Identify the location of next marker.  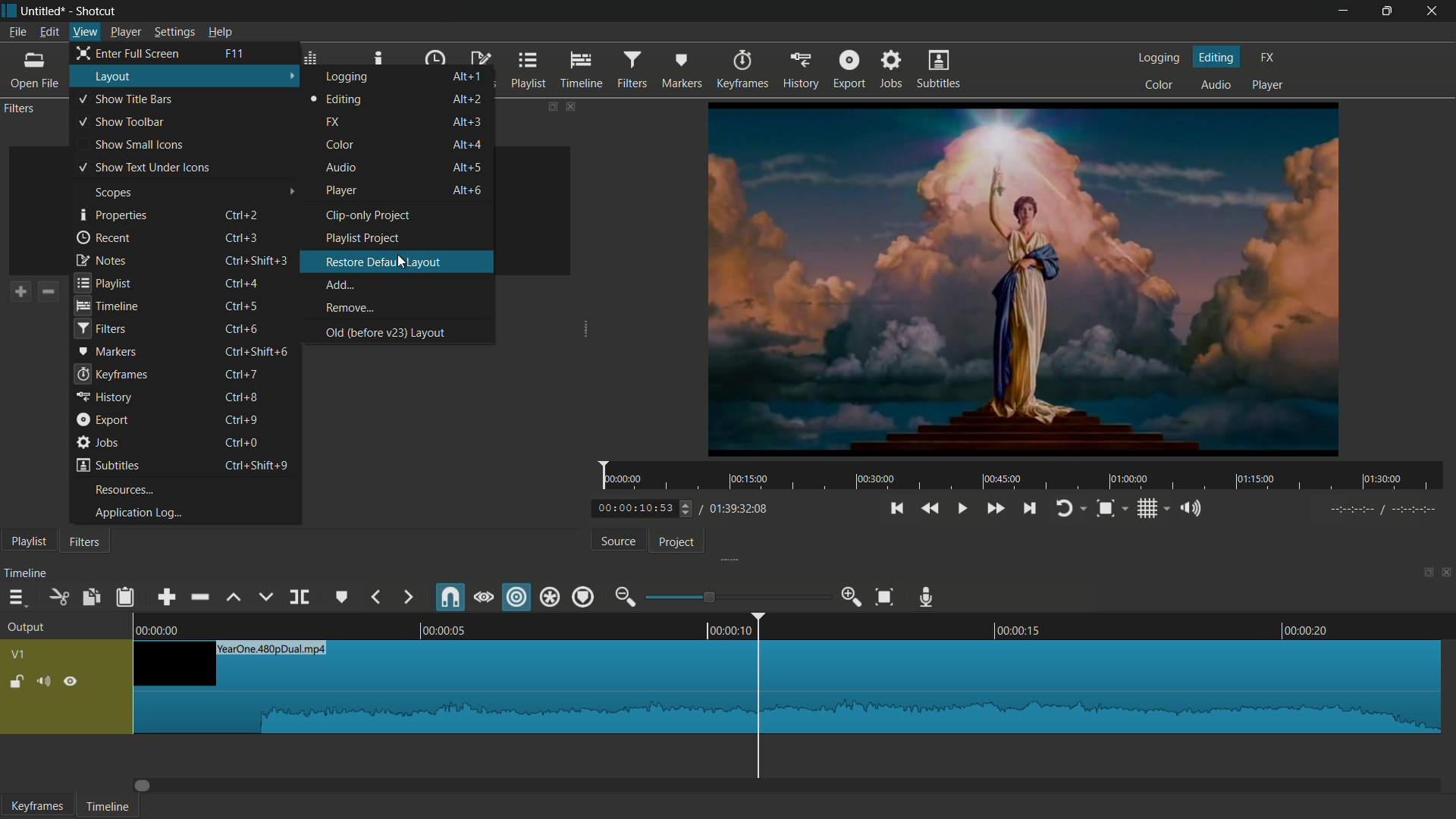
(406, 598).